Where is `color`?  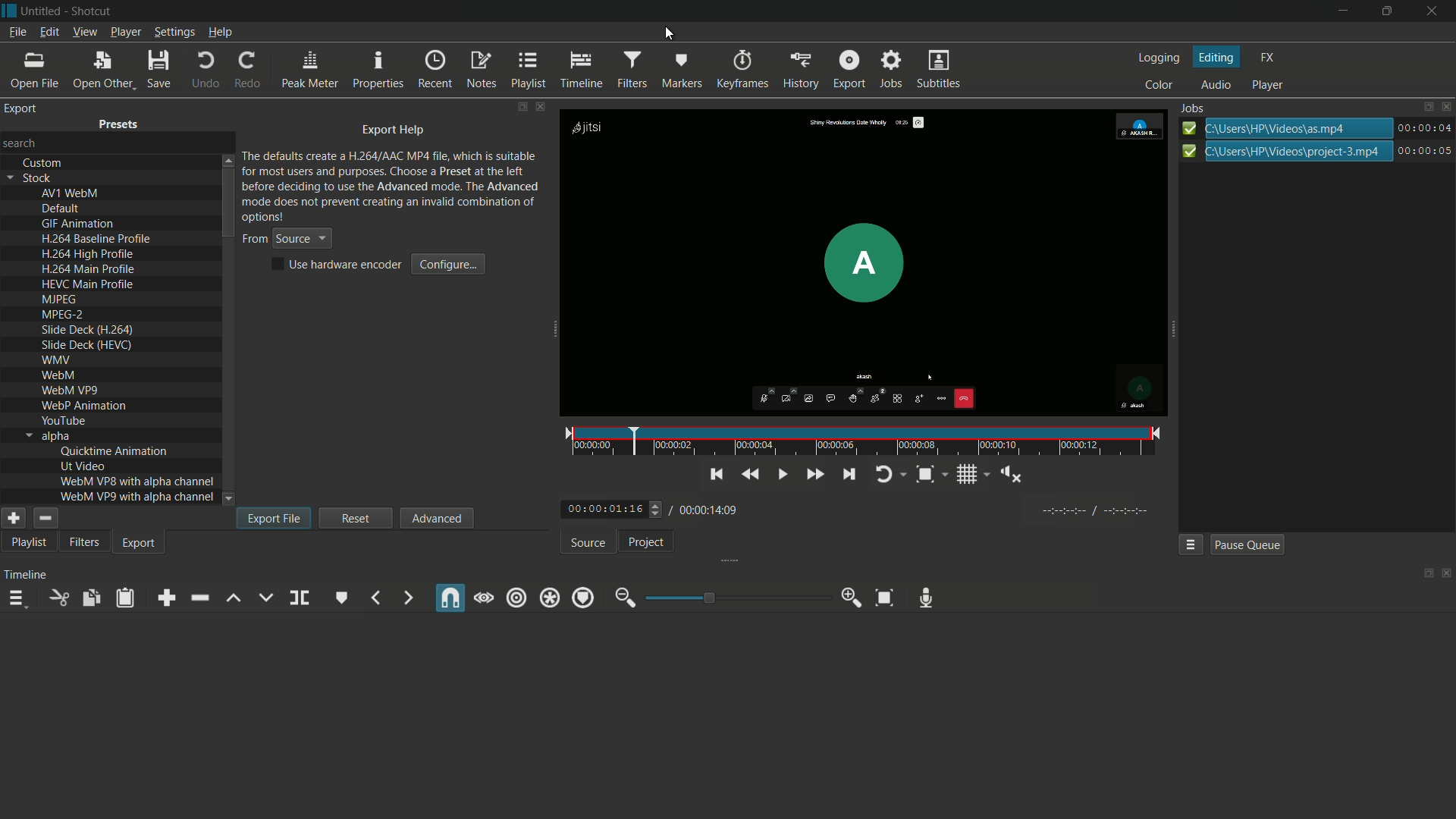
color is located at coordinates (1159, 86).